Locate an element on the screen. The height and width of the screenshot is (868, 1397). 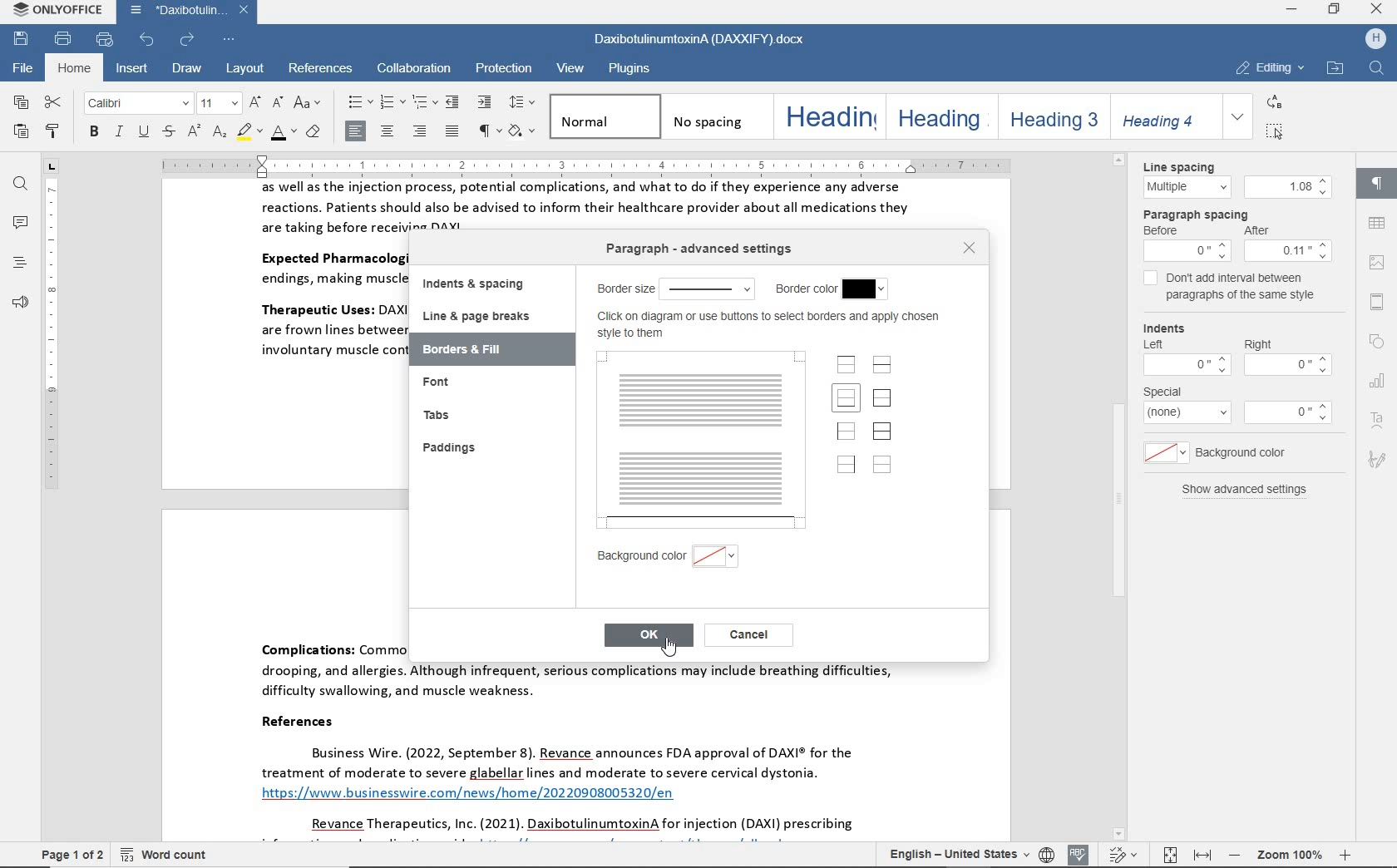
multilevel list is located at coordinates (422, 103).